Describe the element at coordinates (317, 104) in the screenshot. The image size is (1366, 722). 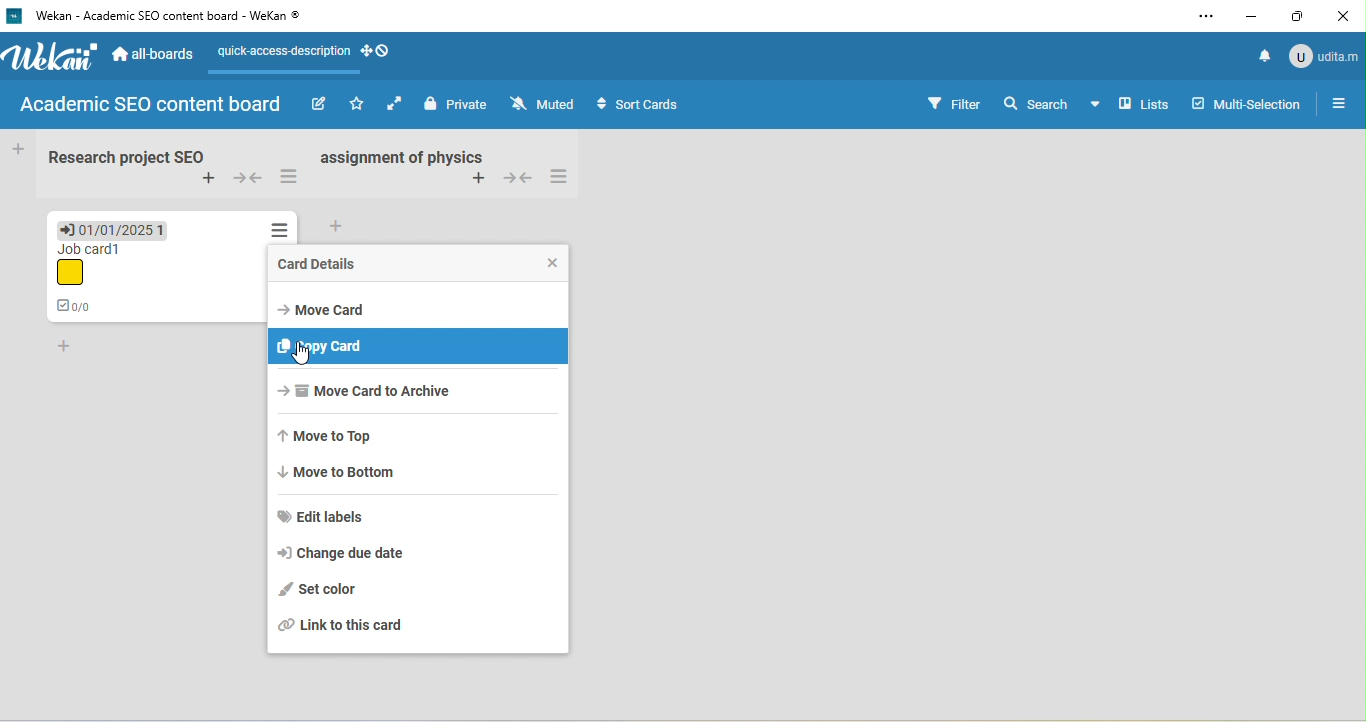
I see `edit` at that location.